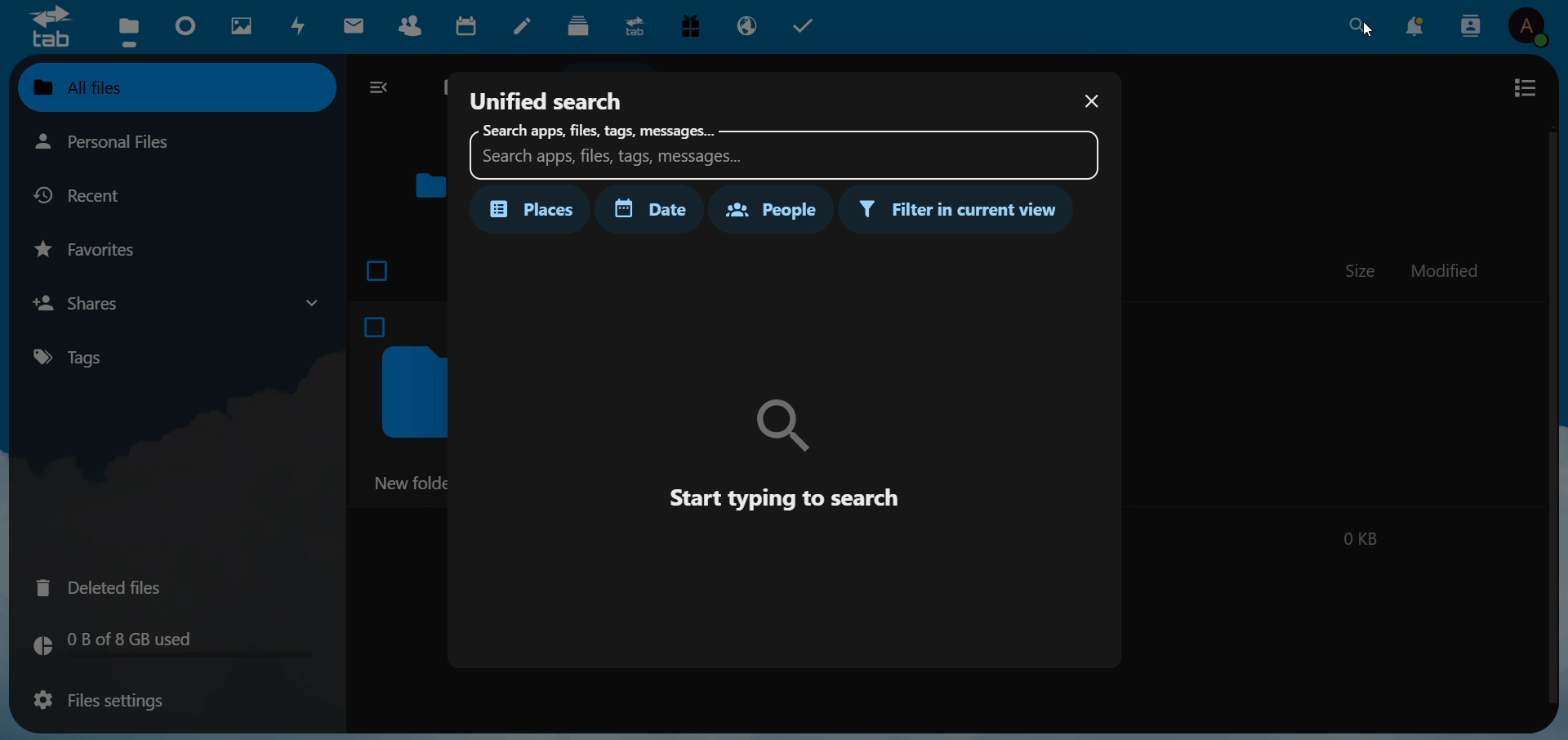 The image size is (1568, 740). I want to click on places, so click(533, 209).